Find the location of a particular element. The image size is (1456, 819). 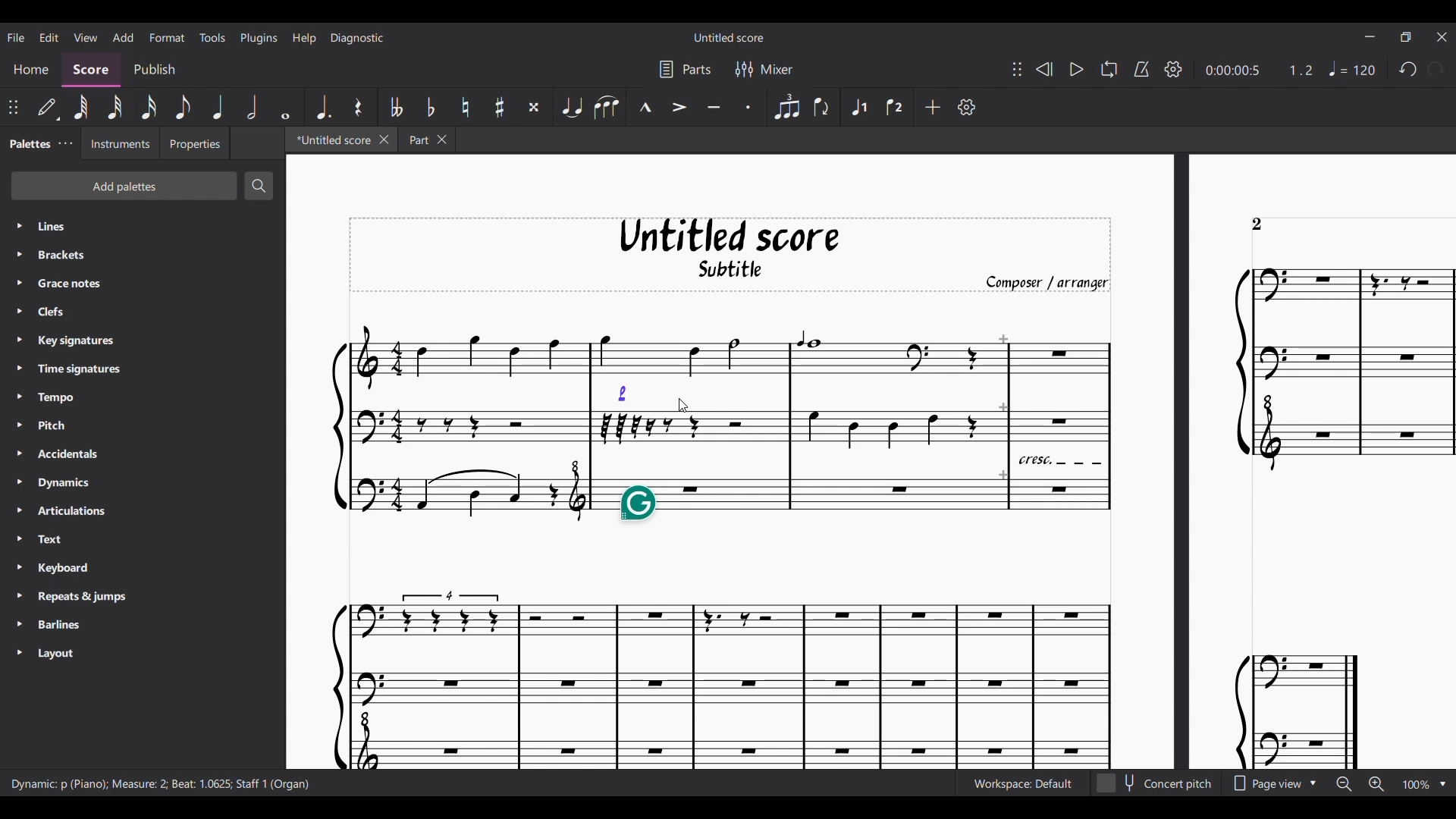

Description of current selection is located at coordinates (161, 784).